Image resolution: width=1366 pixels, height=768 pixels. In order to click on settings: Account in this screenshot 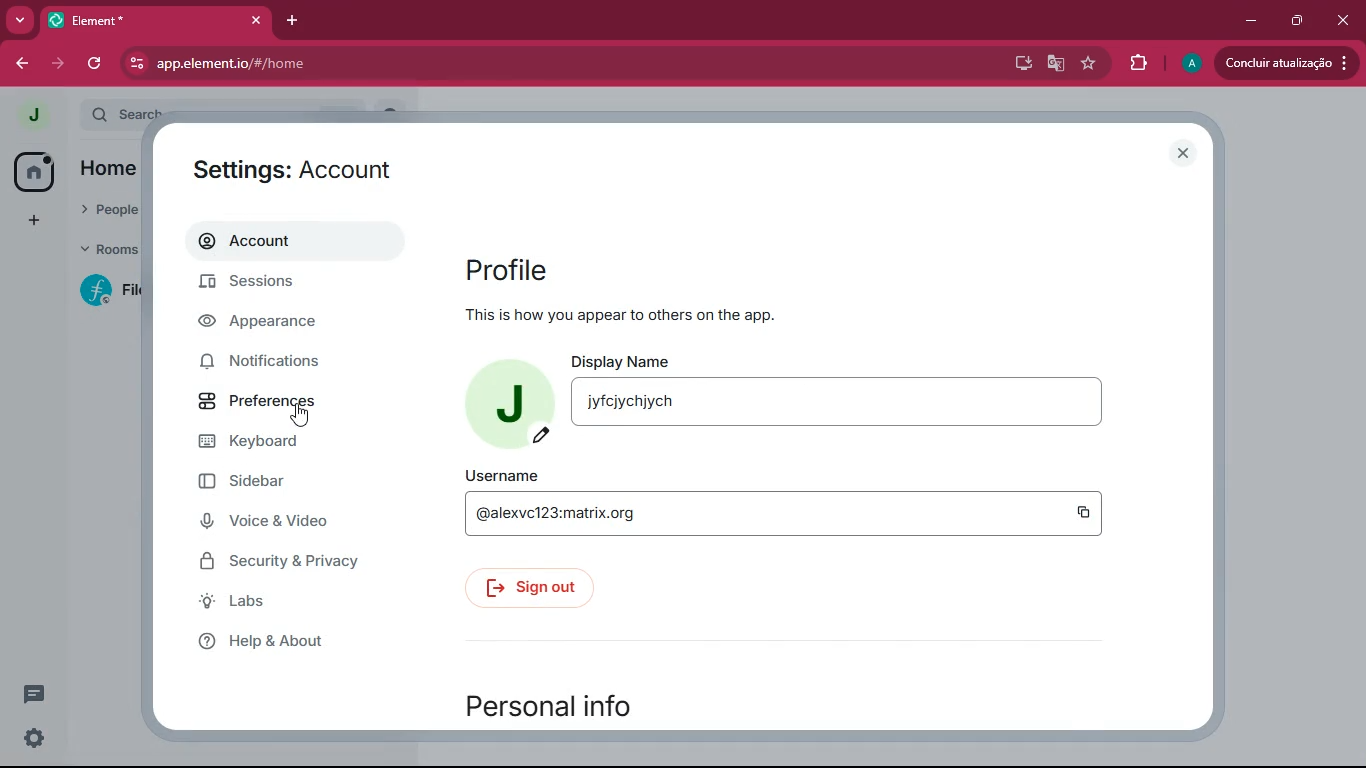, I will do `click(303, 166)`.